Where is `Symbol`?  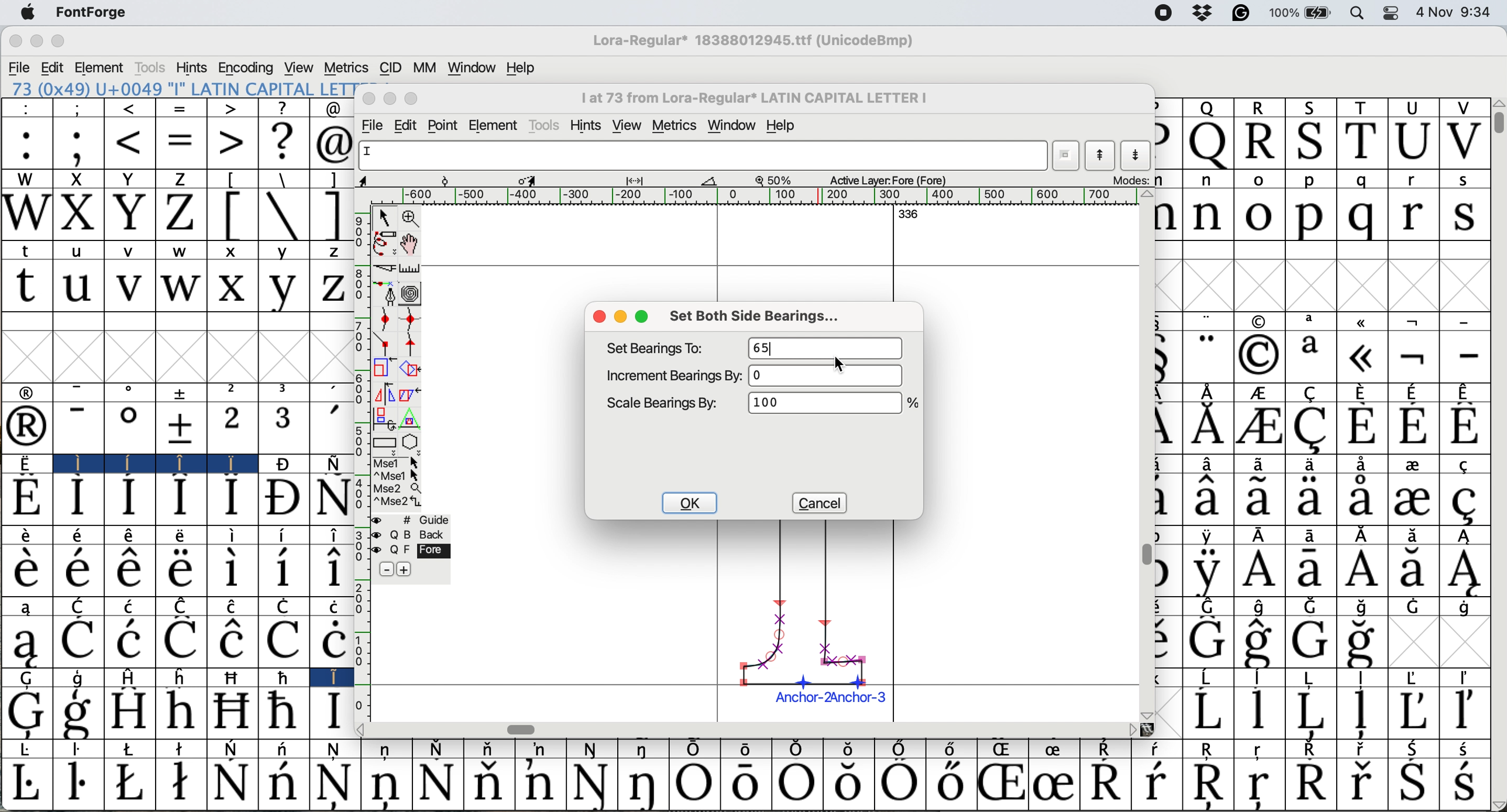
Symbol is located at coordinates (487, 749).